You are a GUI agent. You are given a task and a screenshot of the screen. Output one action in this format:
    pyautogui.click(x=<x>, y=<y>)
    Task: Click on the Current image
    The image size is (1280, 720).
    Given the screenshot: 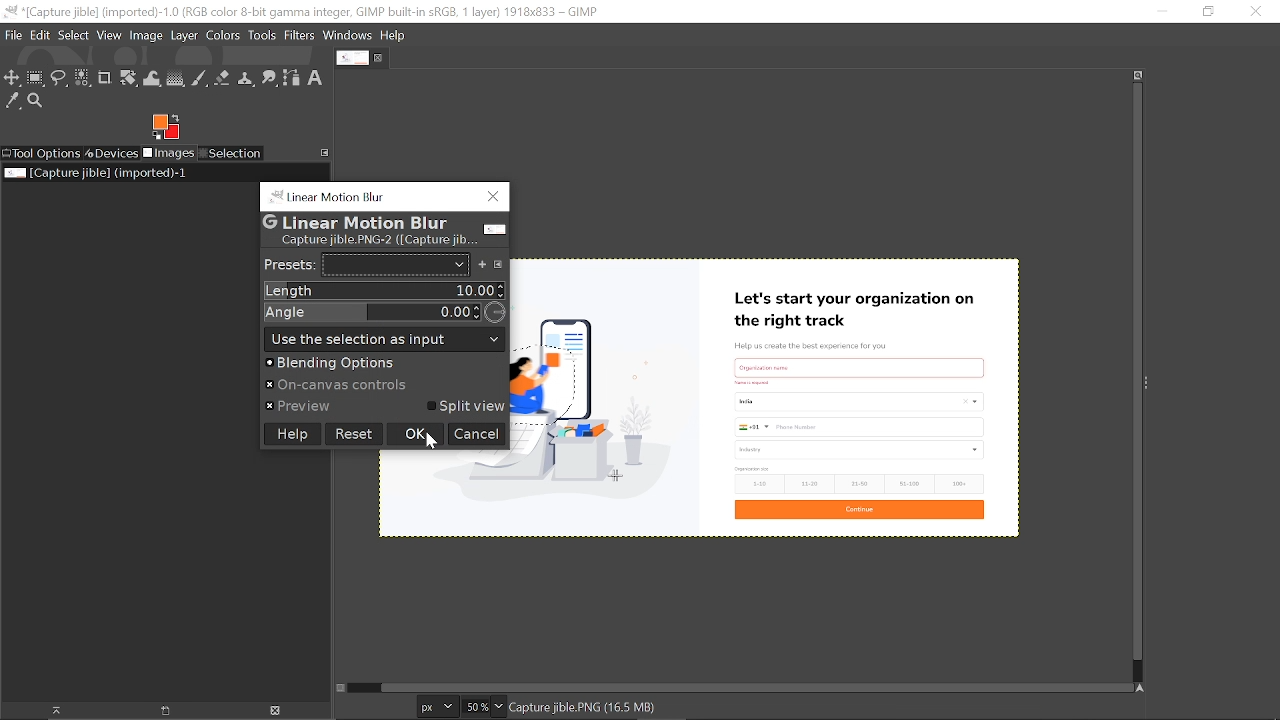 What is the action you would take?
    pyautogui.click(x=818, y=396)
    